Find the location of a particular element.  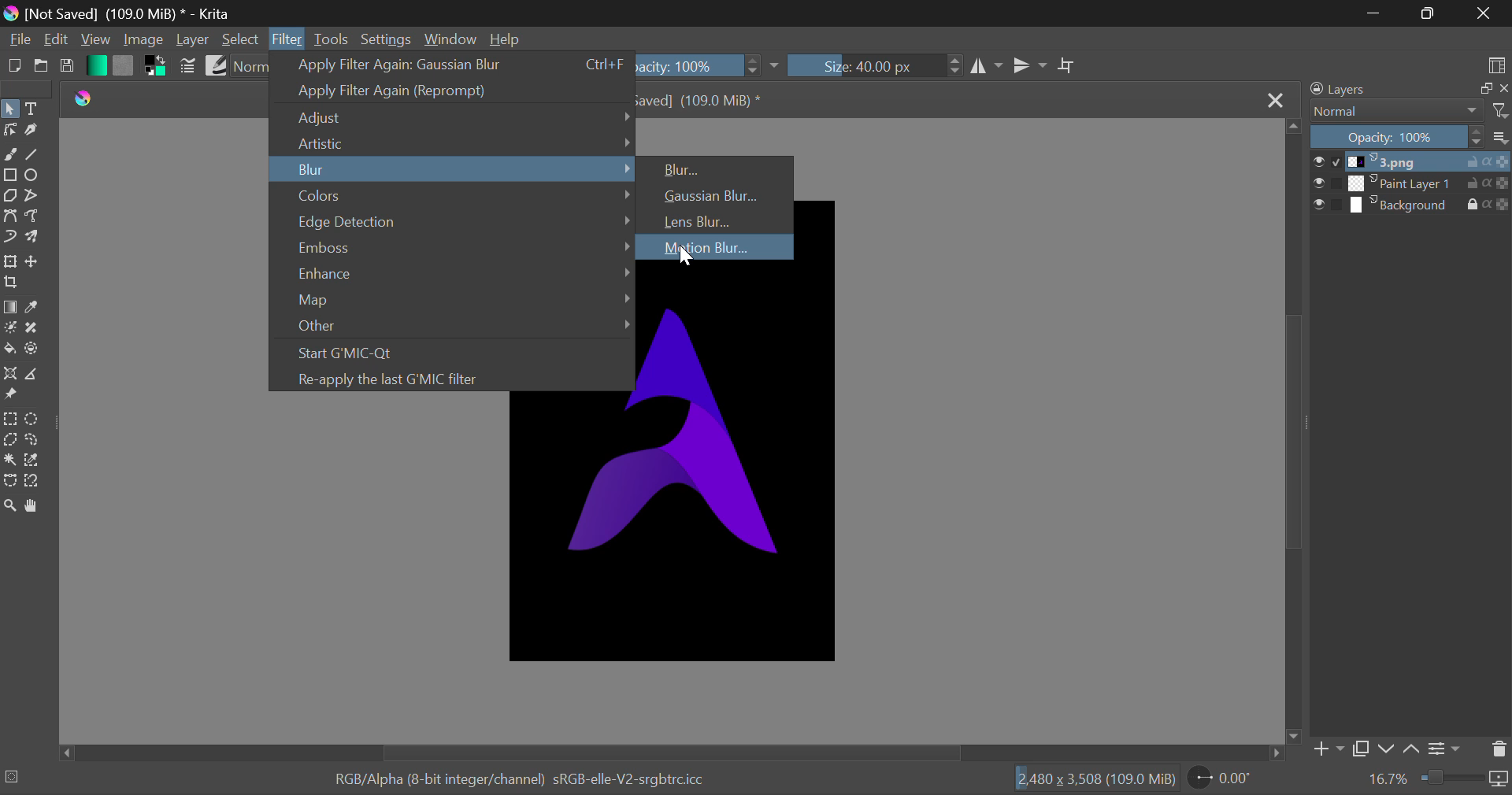

Move Layer is located at coordinates (35, 261).